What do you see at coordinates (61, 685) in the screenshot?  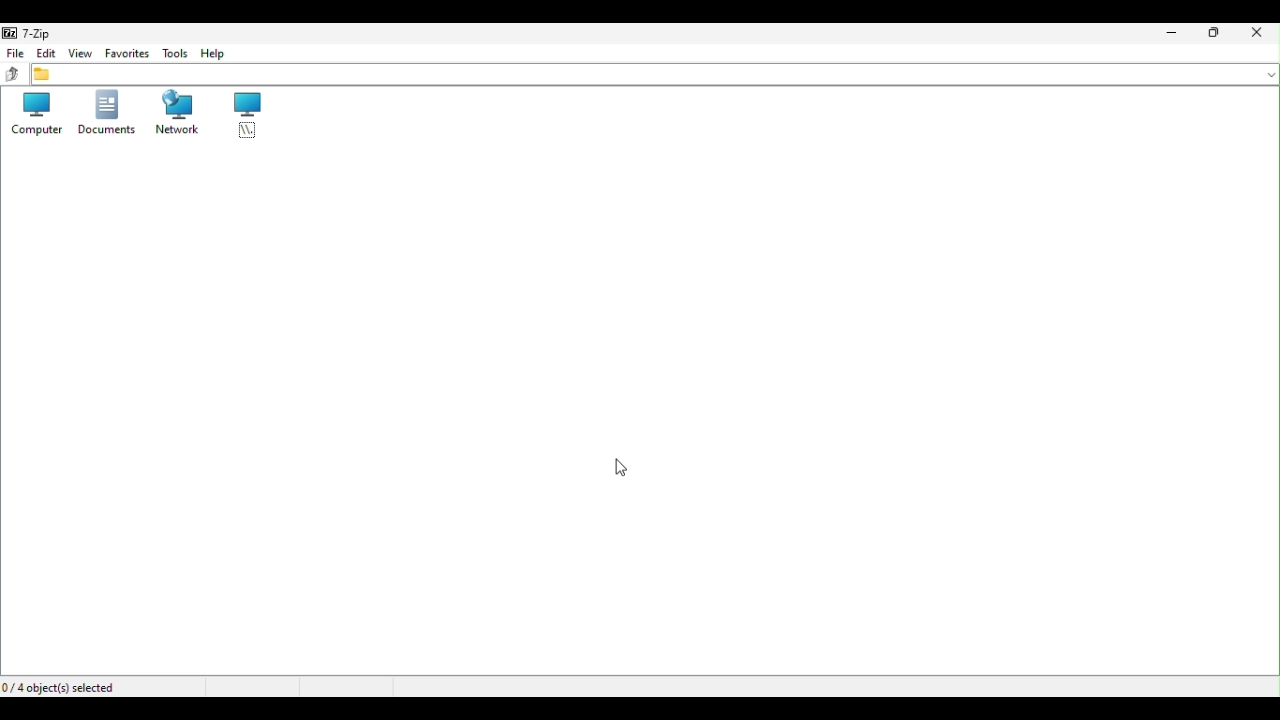 I see `Four objects selected` at bounding box center [61, 685].